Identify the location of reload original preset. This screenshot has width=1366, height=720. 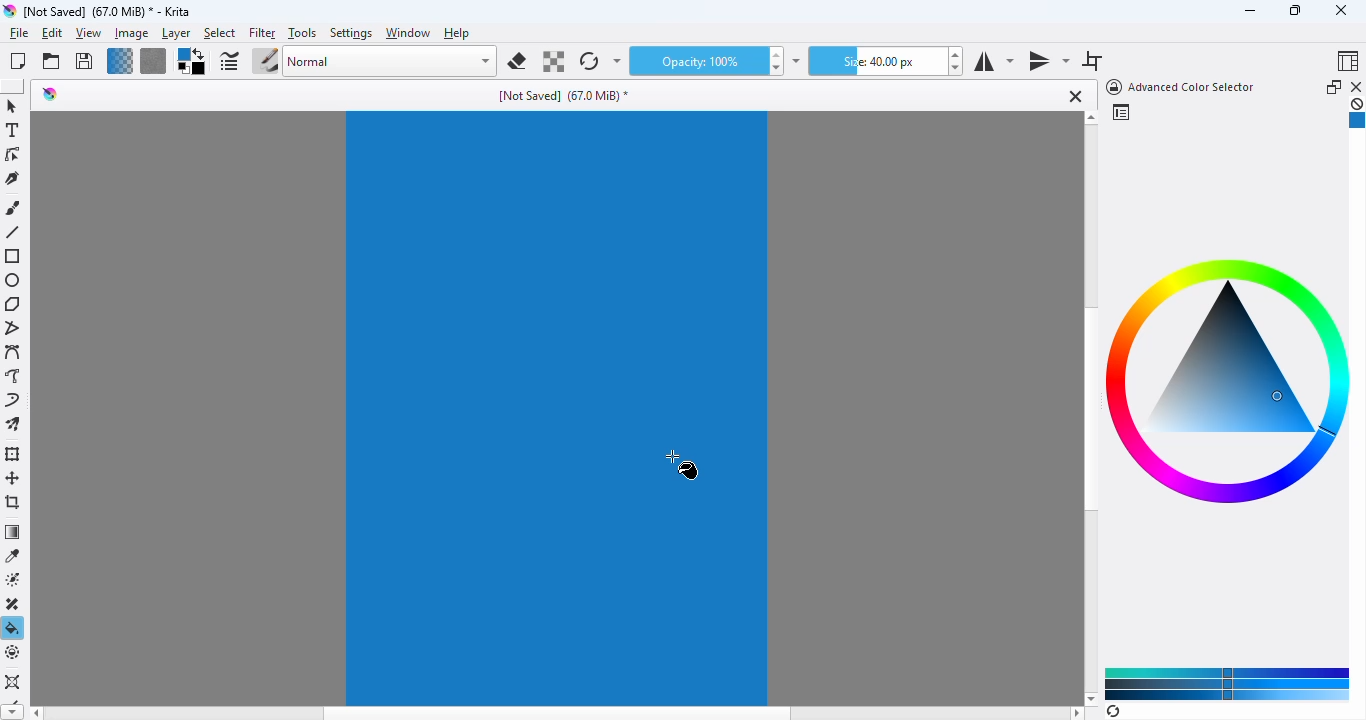
(590, 61).